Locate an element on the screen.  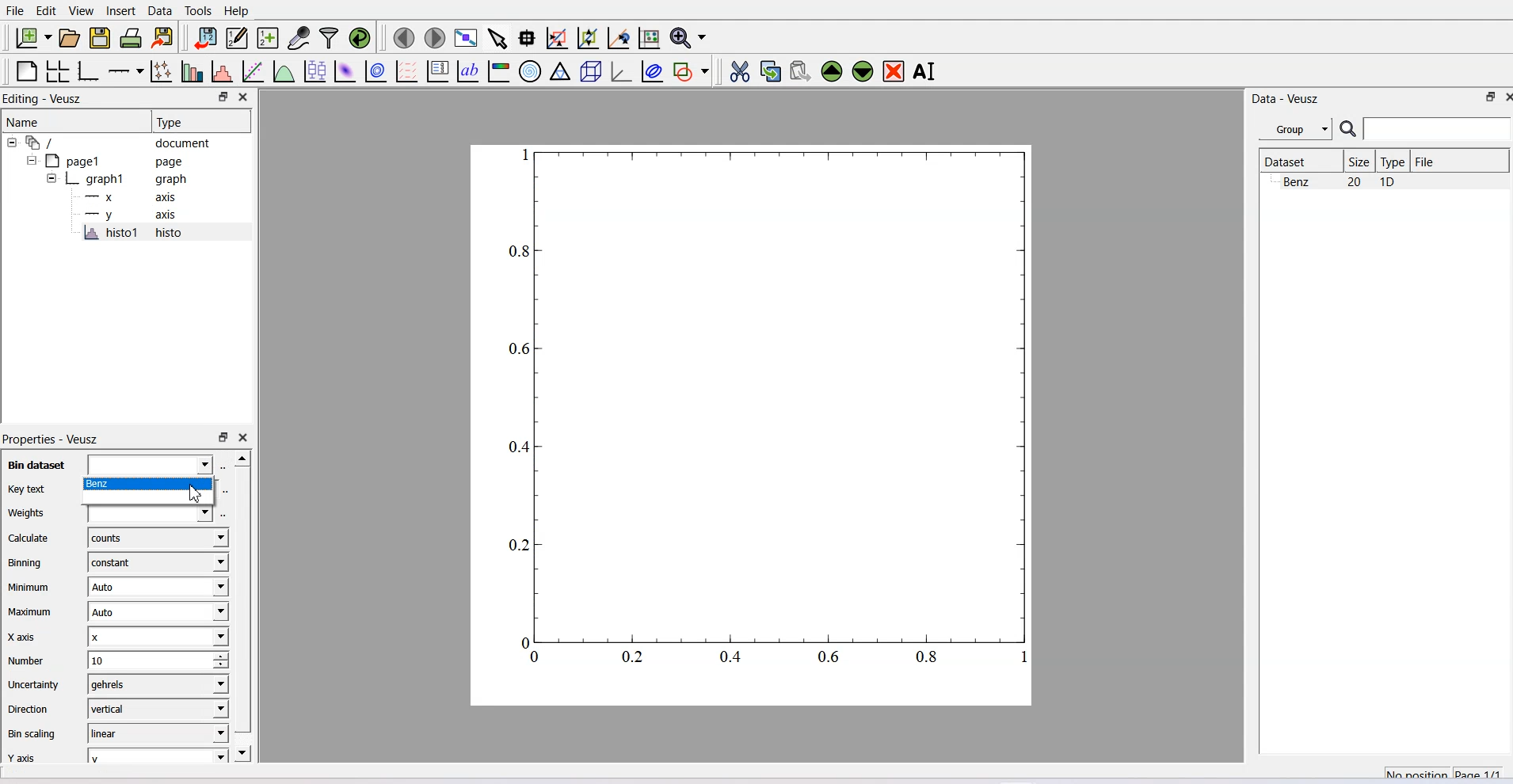
Help is located at coordinates (236, 11).